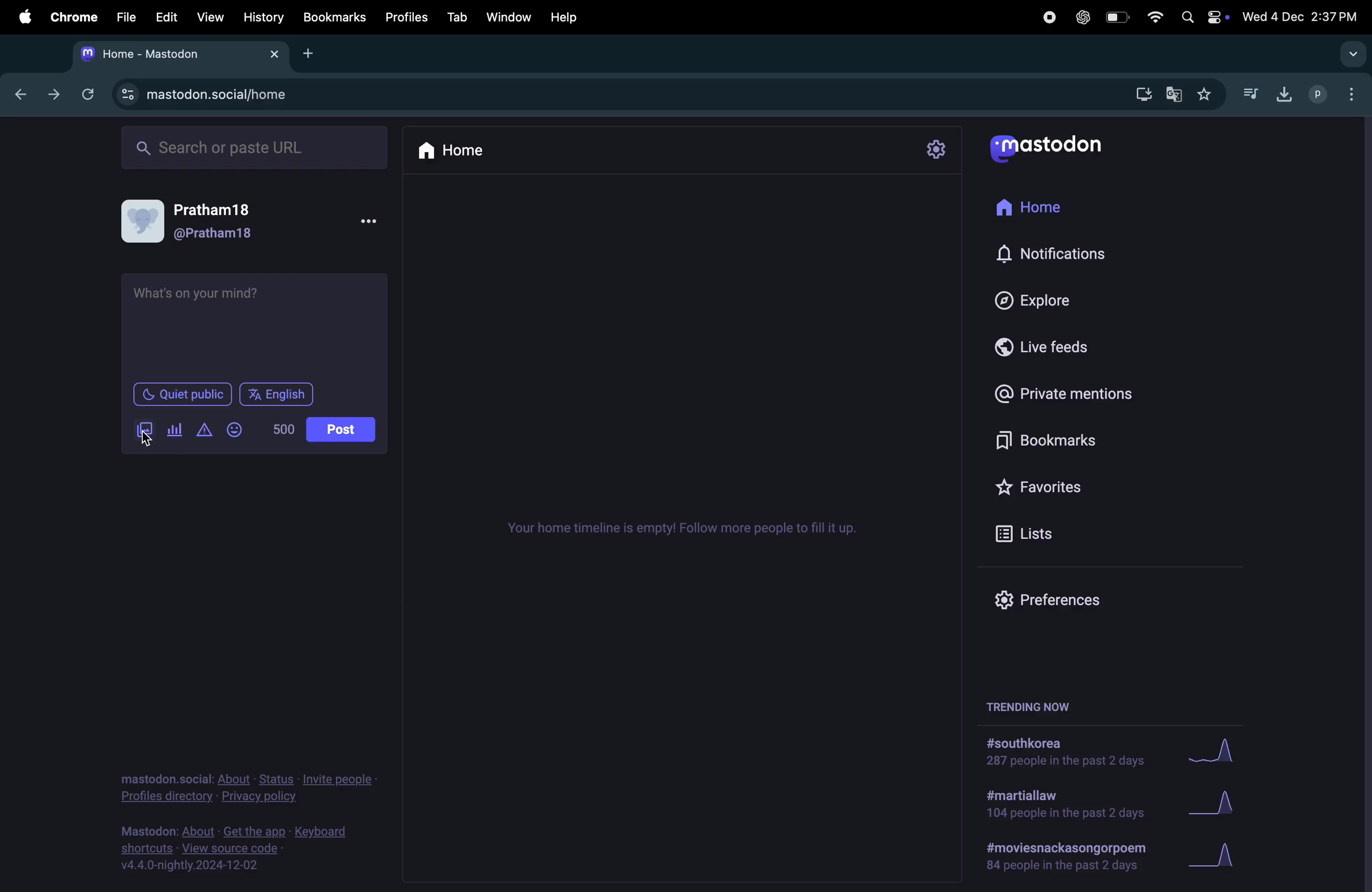 The image size is (1372, 892). Describe the element at coordinates (1067, 805) in the screenshot. I see `#martial flow` at that location.